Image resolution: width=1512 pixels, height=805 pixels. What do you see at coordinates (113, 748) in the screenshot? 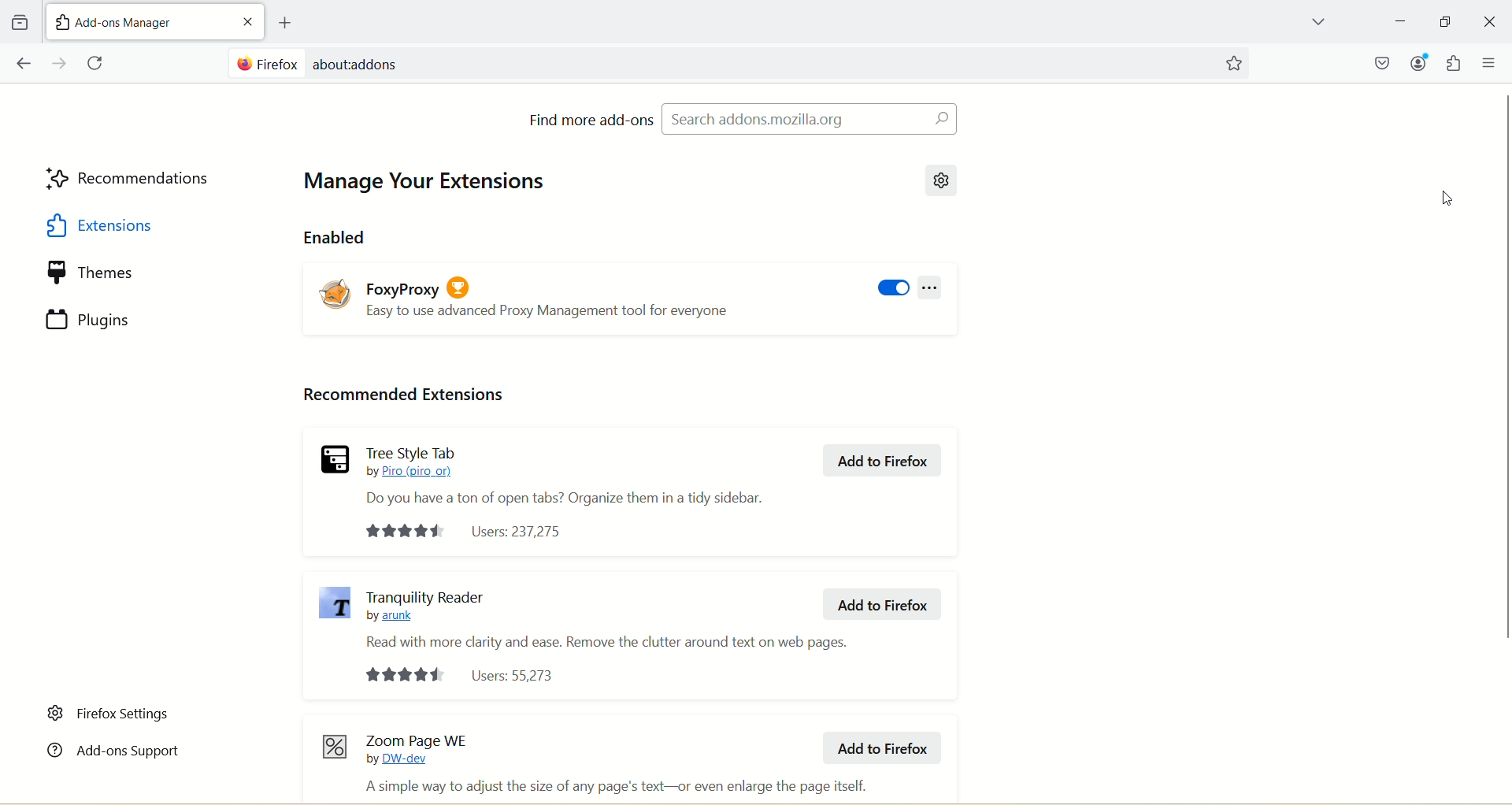
I see `Add-ons Support` at bounding box center [113, 748].